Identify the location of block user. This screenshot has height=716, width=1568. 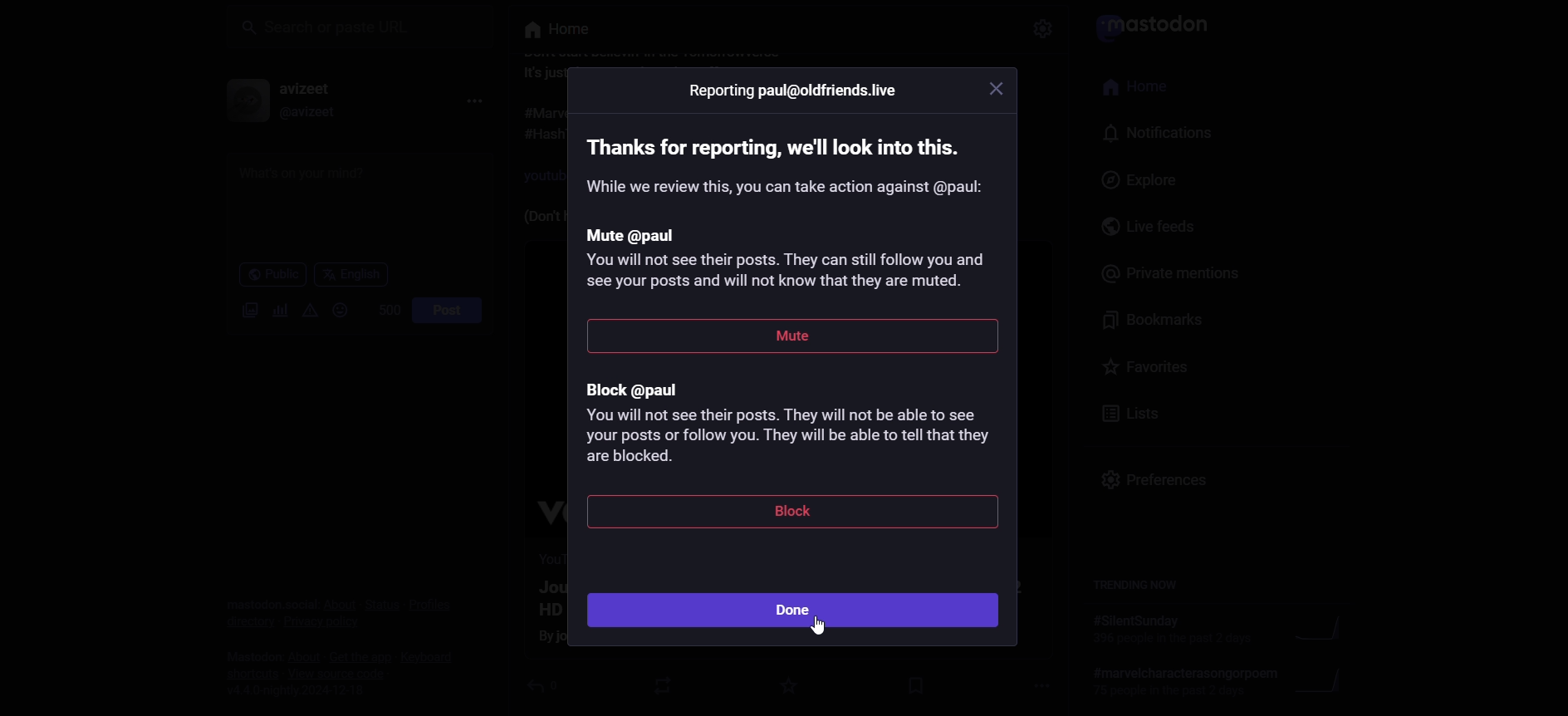
(798, 417).